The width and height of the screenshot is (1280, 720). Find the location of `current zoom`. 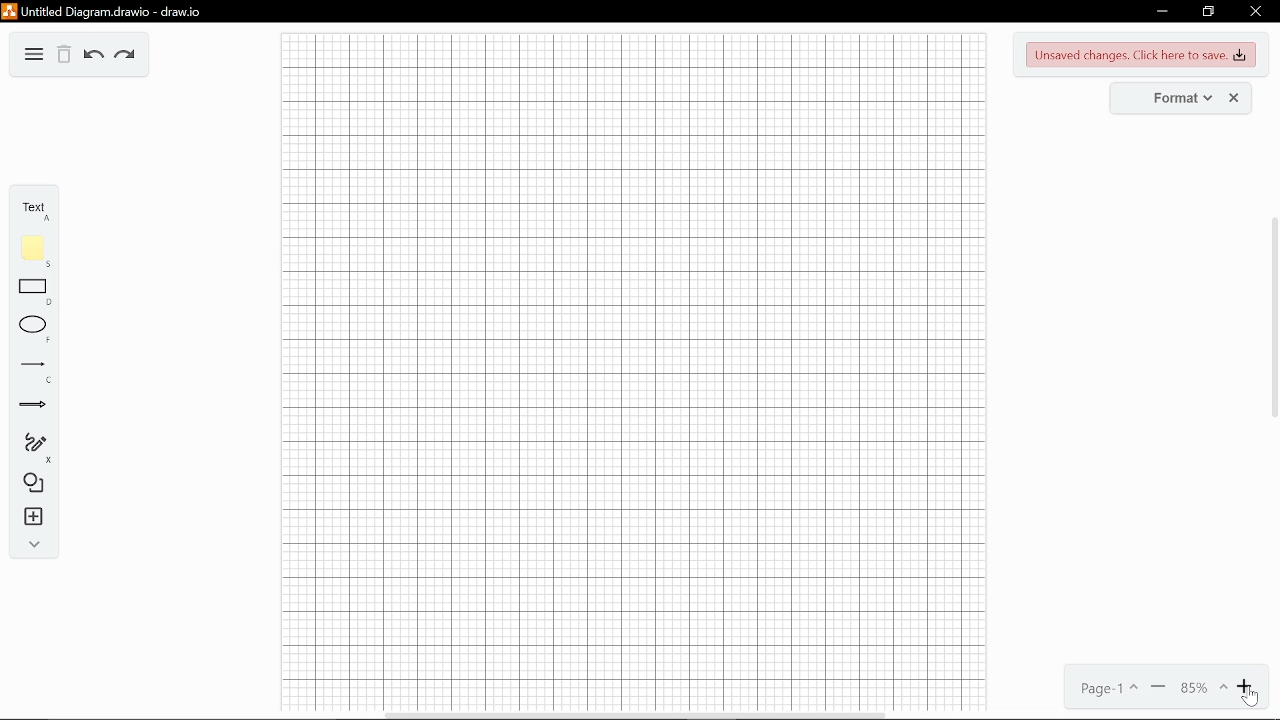

current zoom is located at coordinates (1206, 686).